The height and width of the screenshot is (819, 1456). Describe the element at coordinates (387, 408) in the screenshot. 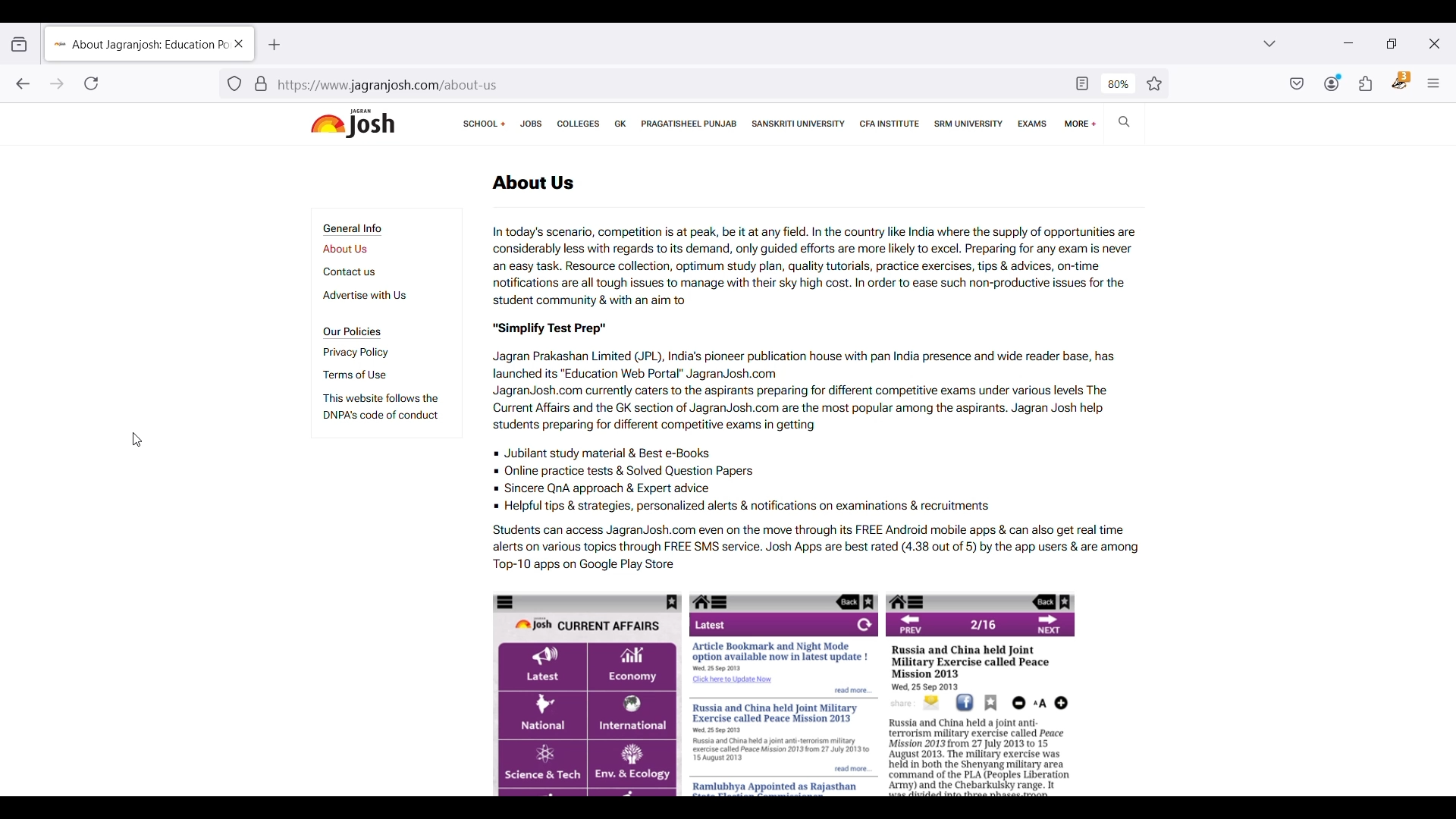

I see `This website follows the
DNPA's code of conduct` at that location.